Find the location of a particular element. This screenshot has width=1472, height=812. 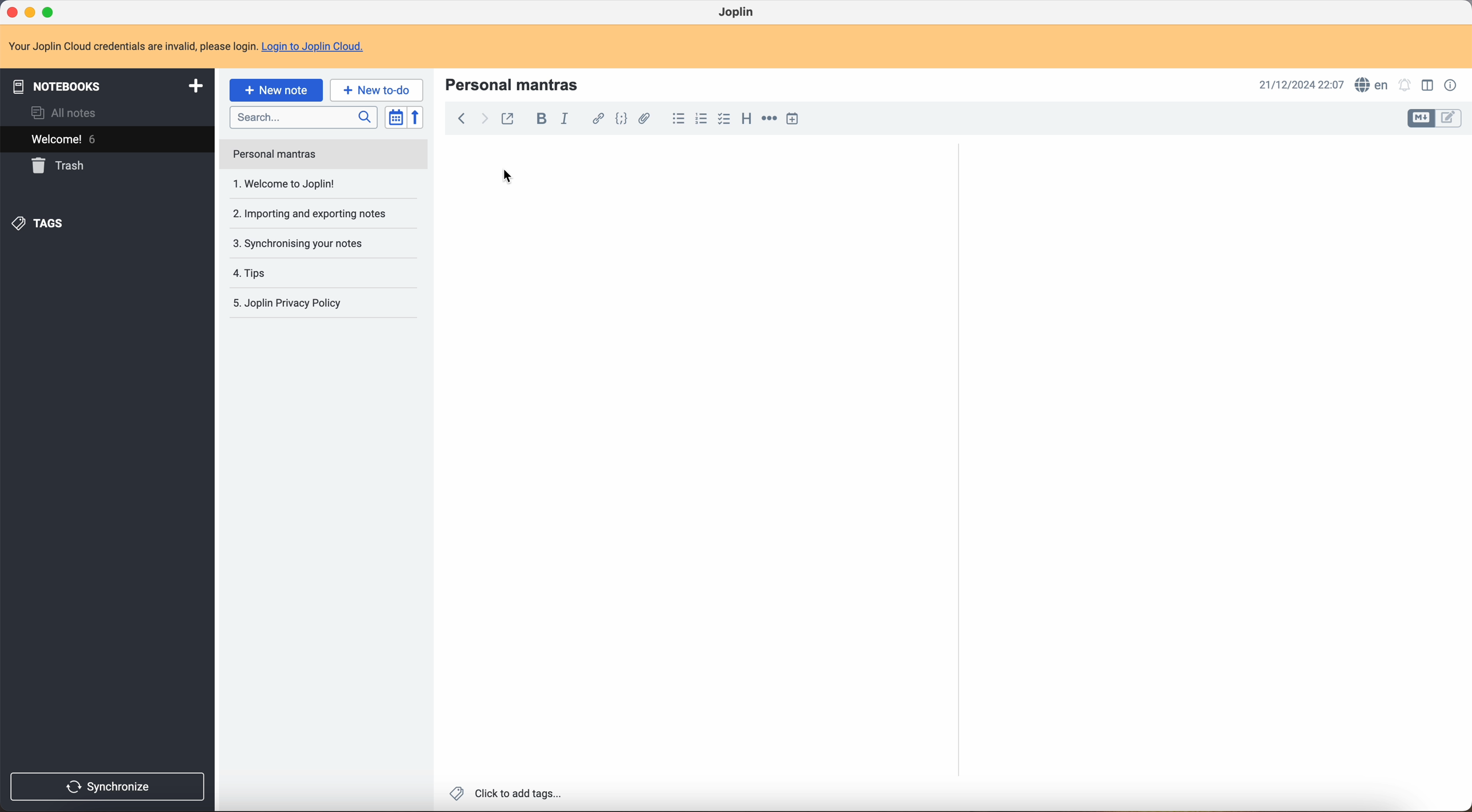

bulleted list is located at coordinates (678, 119).